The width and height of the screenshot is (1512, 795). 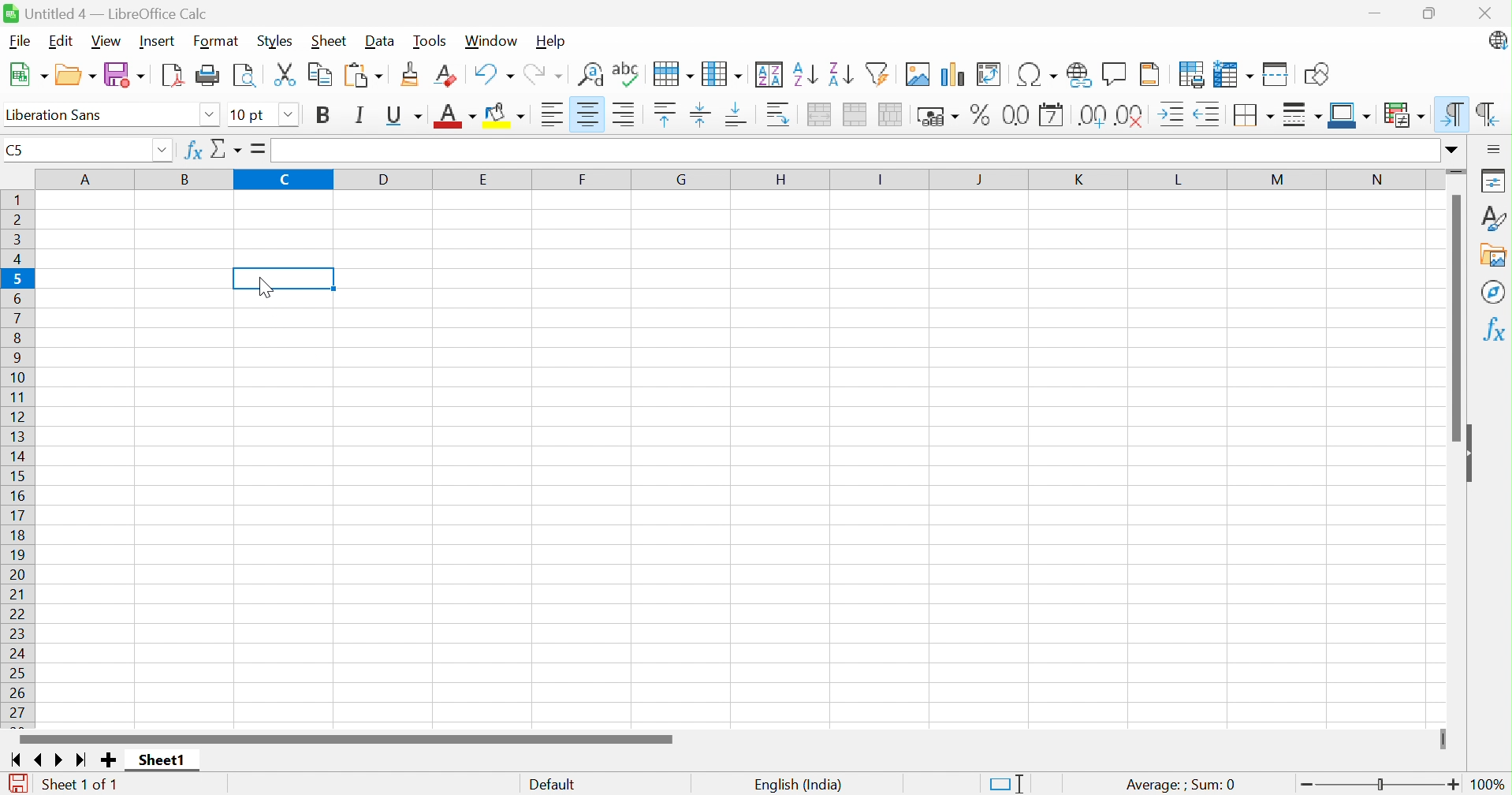 I want to click on Unmerge cells, so click(x=895, y=114).